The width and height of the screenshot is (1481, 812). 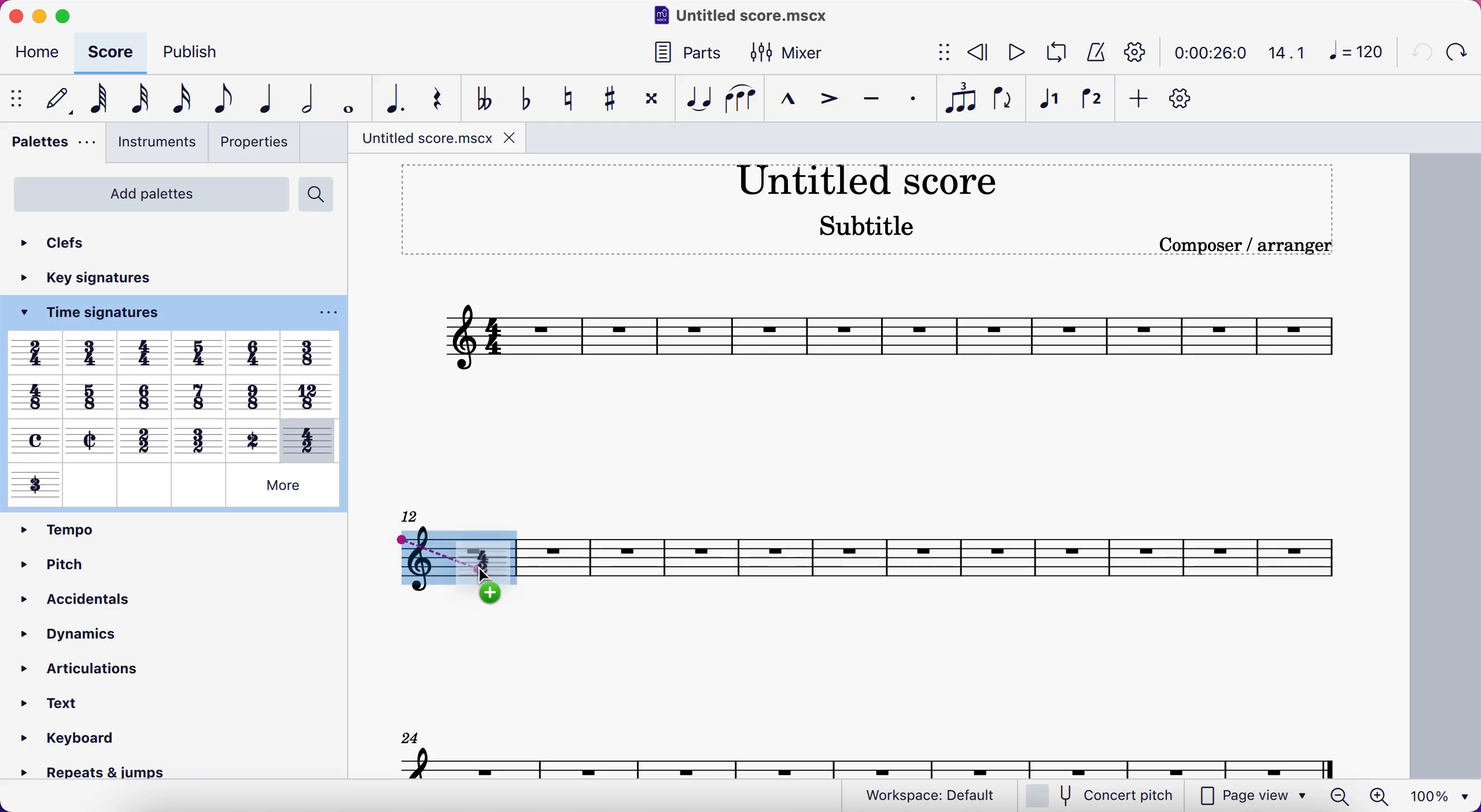 What do you see at coordinates (35, 440) in the screenshot?
I see `` at bounding box center [35, 440].